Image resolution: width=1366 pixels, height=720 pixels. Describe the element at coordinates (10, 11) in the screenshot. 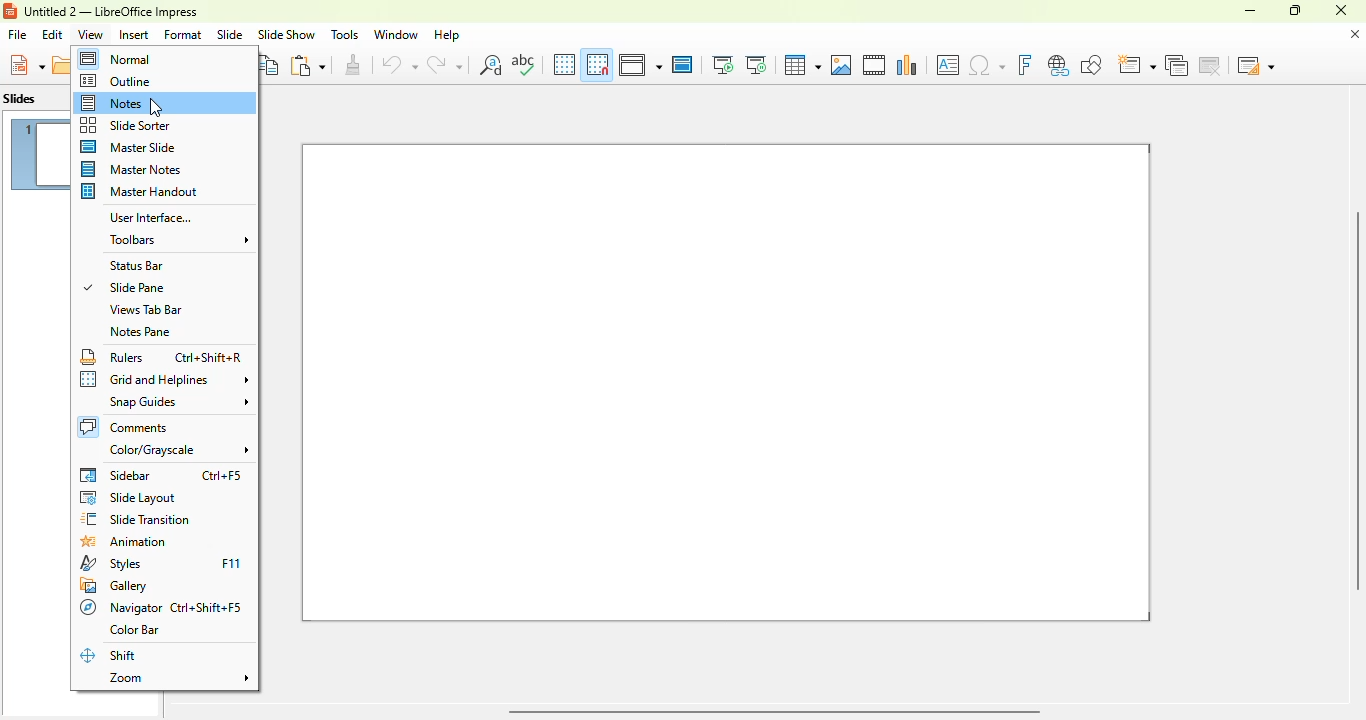

I see `logo` at that location.